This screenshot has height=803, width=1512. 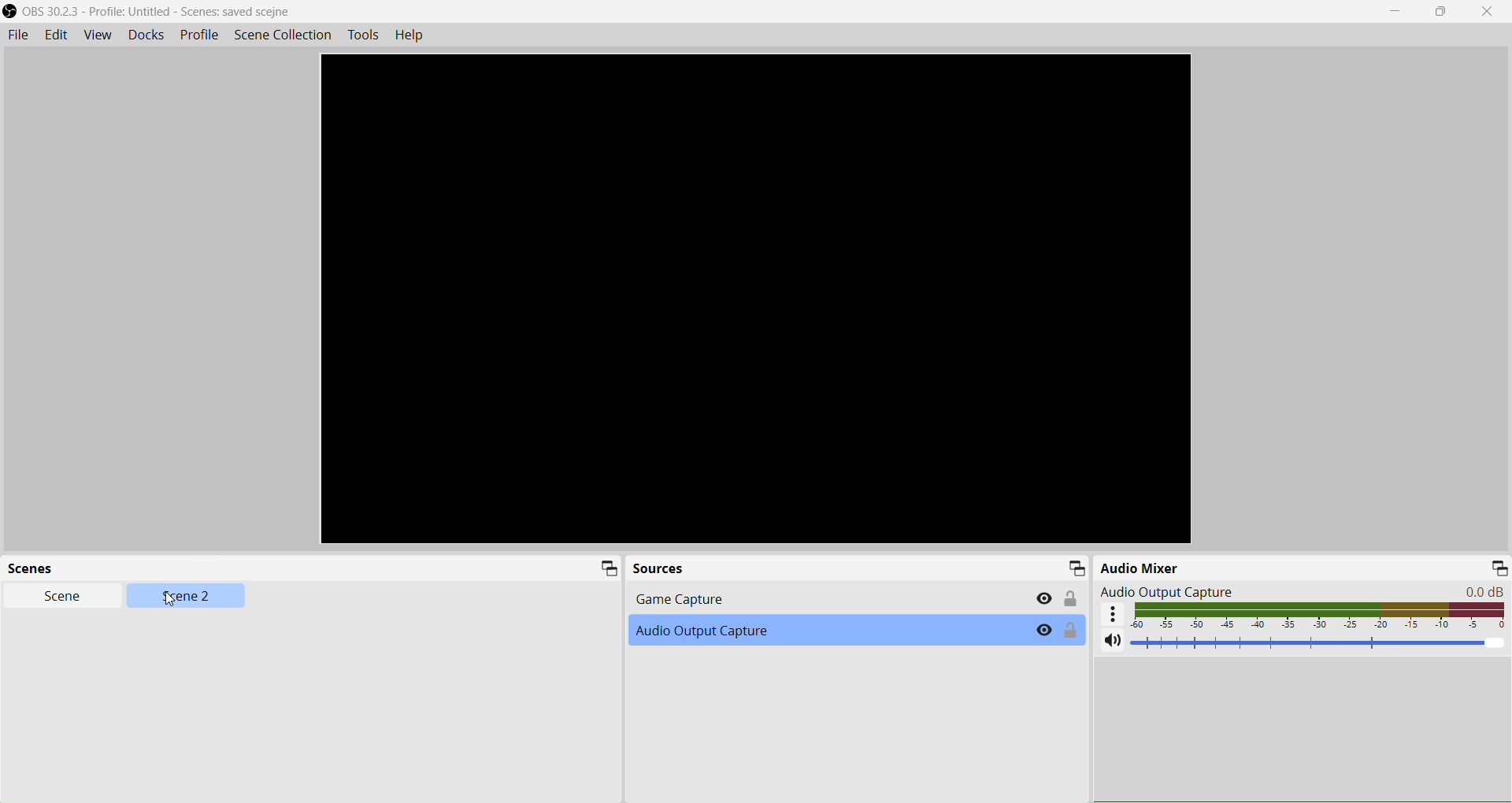 What do you see at coordinates (1303, 591) in the screenshot?
I see `Audio Output Capture` at bounding box center [1303, 591].